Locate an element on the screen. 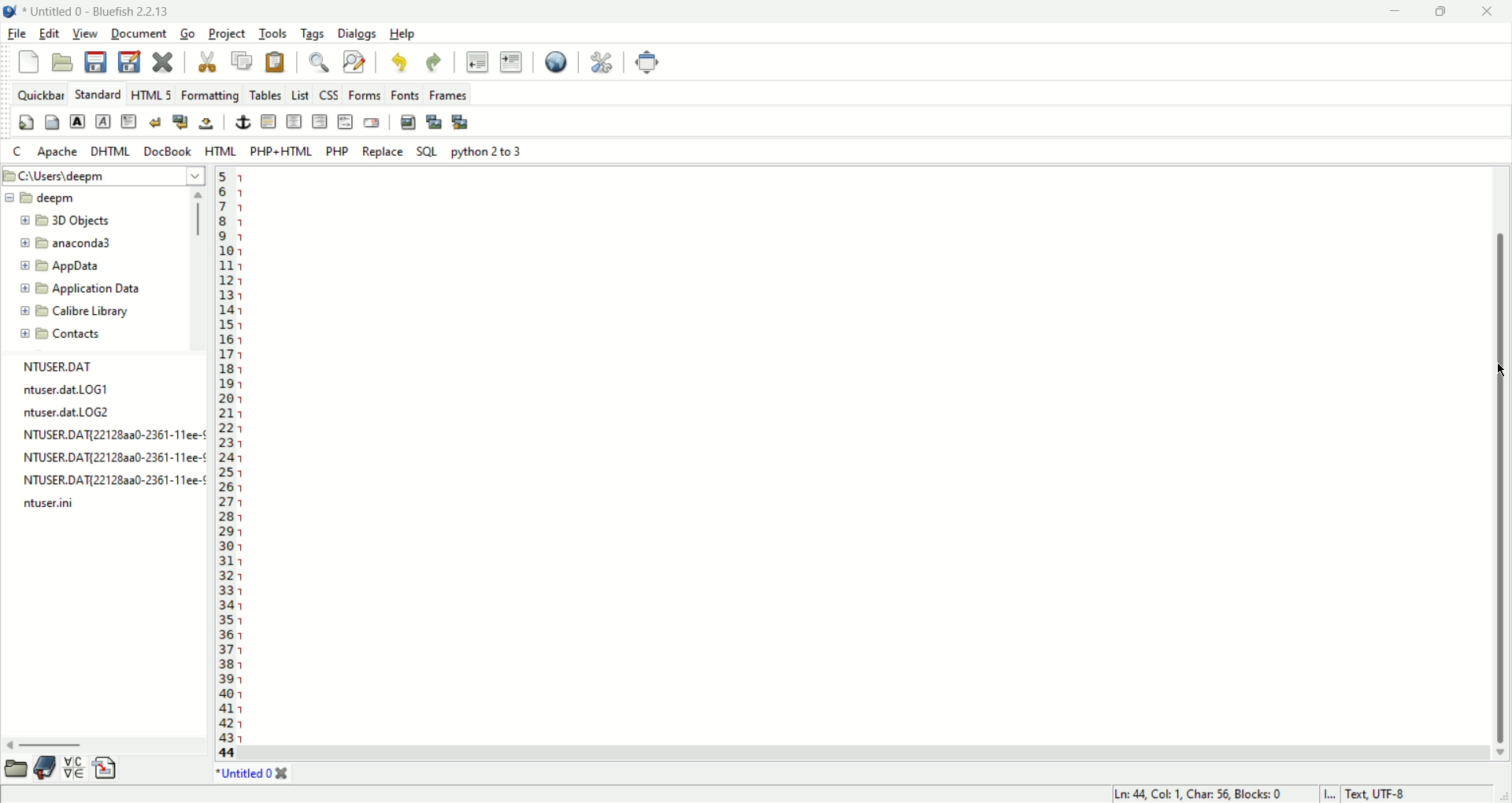 Image resolution: width=1512 pixels, height=803 pixels. dialogs is located at coordinates (360, 35).